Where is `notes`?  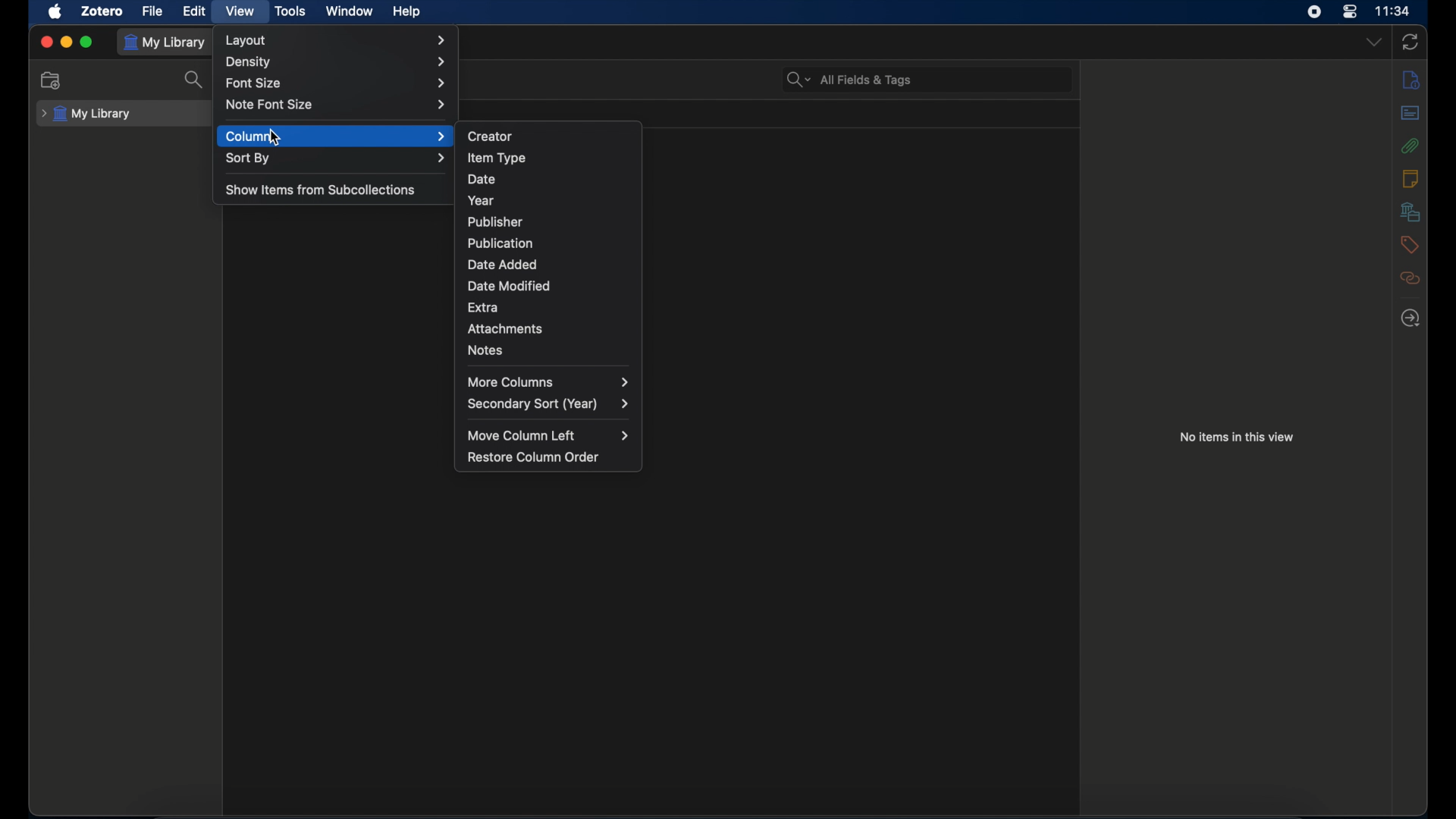 notes is located at coordinates (485, 350).